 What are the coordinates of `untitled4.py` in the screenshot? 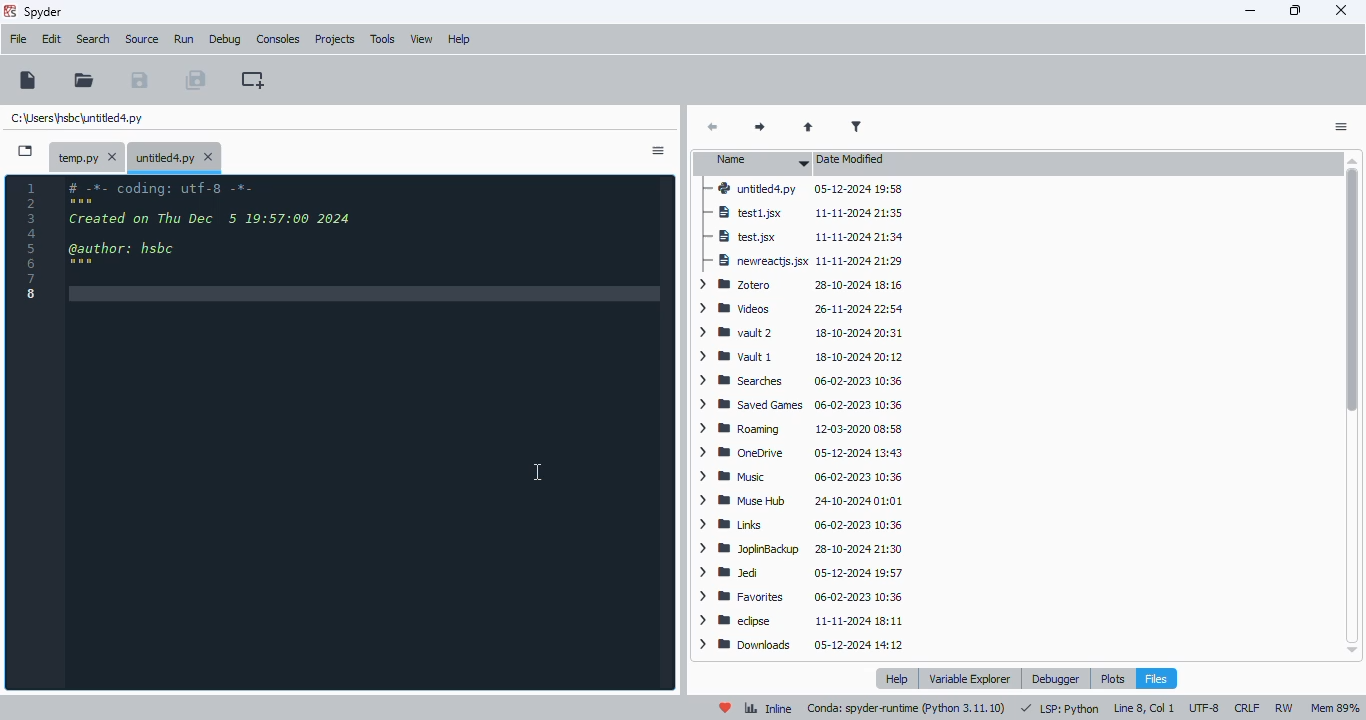 It's located at (77, 117).